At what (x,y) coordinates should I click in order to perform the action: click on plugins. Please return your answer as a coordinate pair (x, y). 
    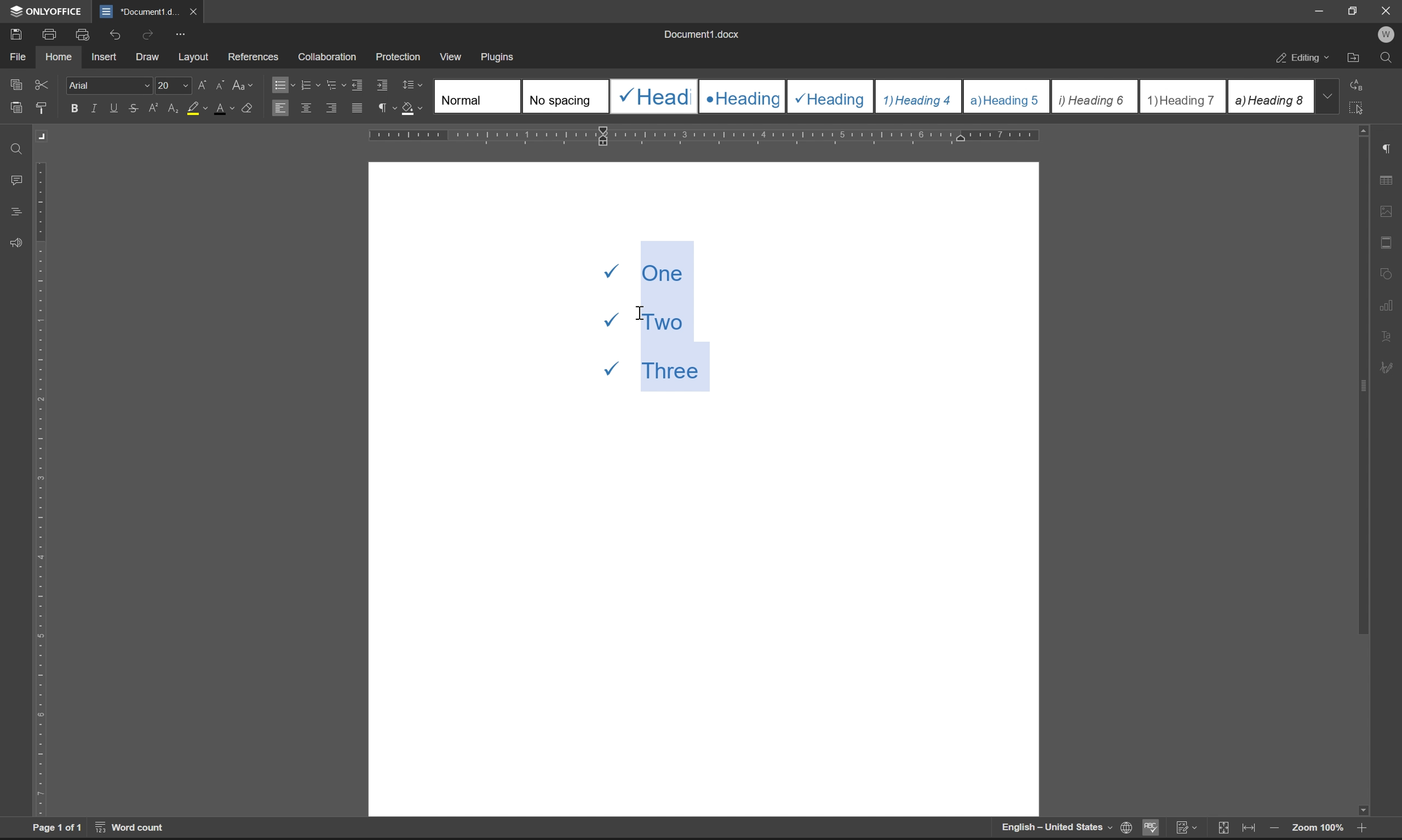
    Looking at the image, I should click on (499, 58).